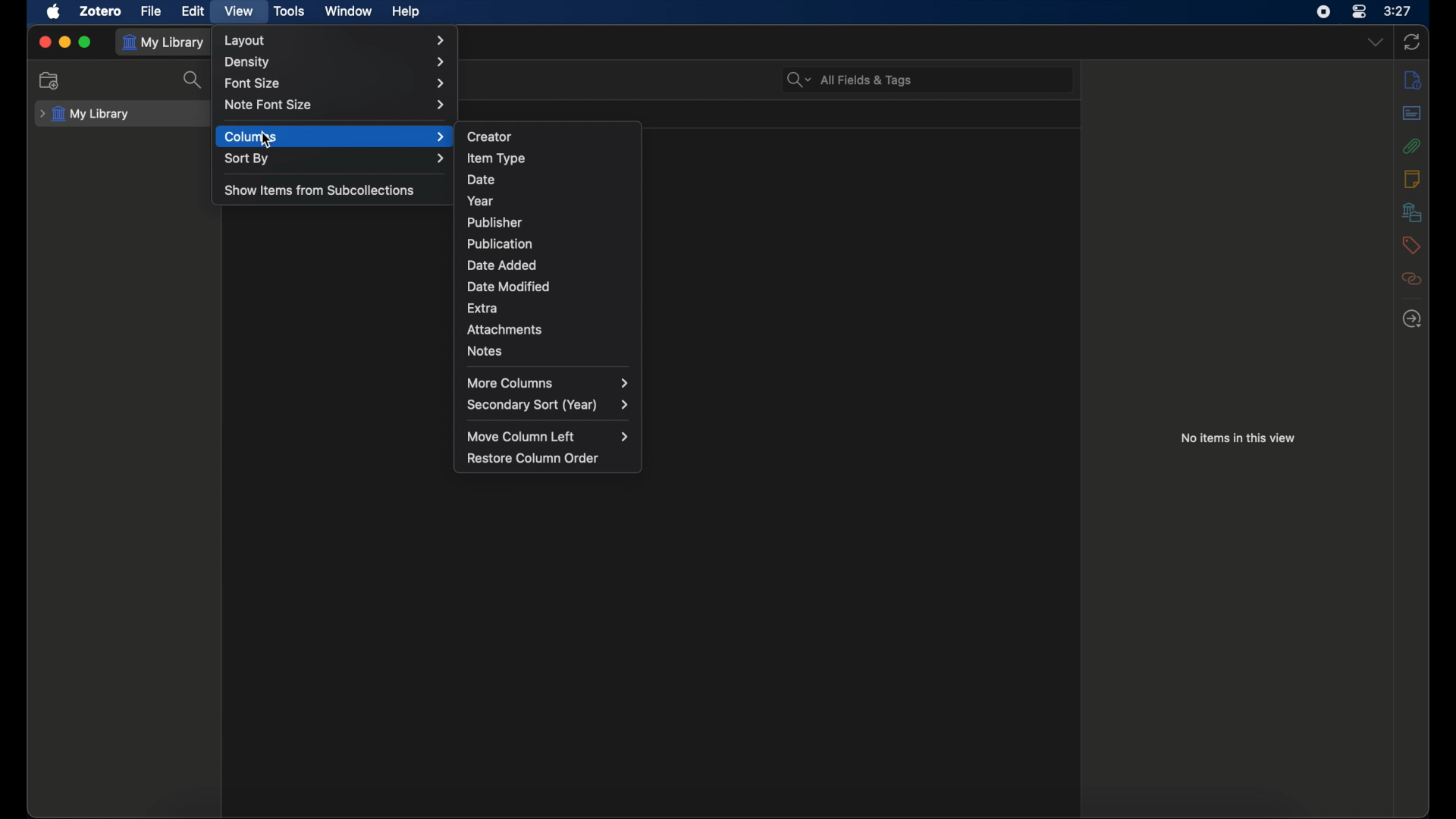  What do you see at coordinates (1411, 112) in the screenshot?
I see `abstract` at bounding box center [1411, 112].